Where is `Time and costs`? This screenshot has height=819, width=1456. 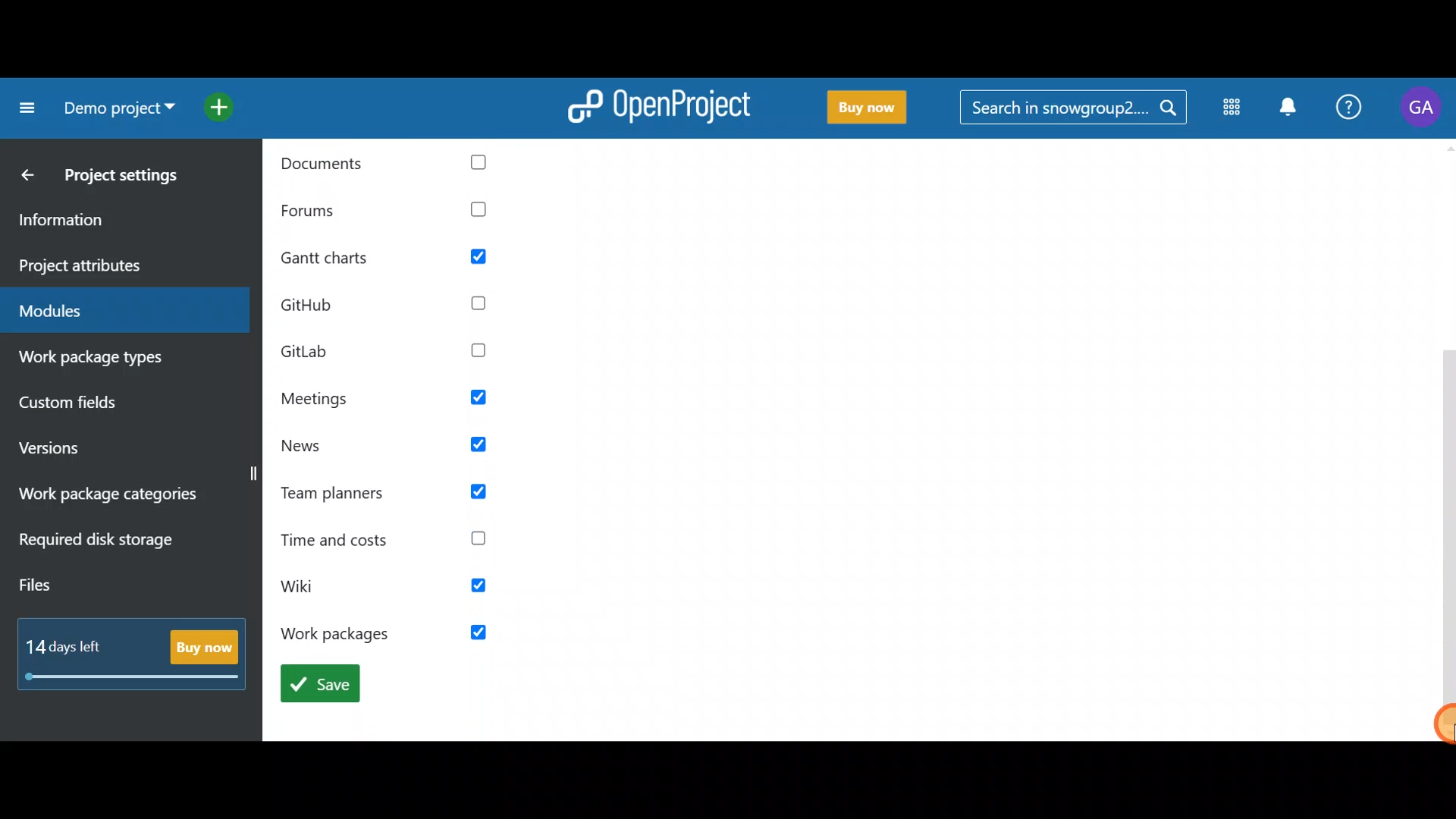 Time and costs is located at coordinates (390, 538).